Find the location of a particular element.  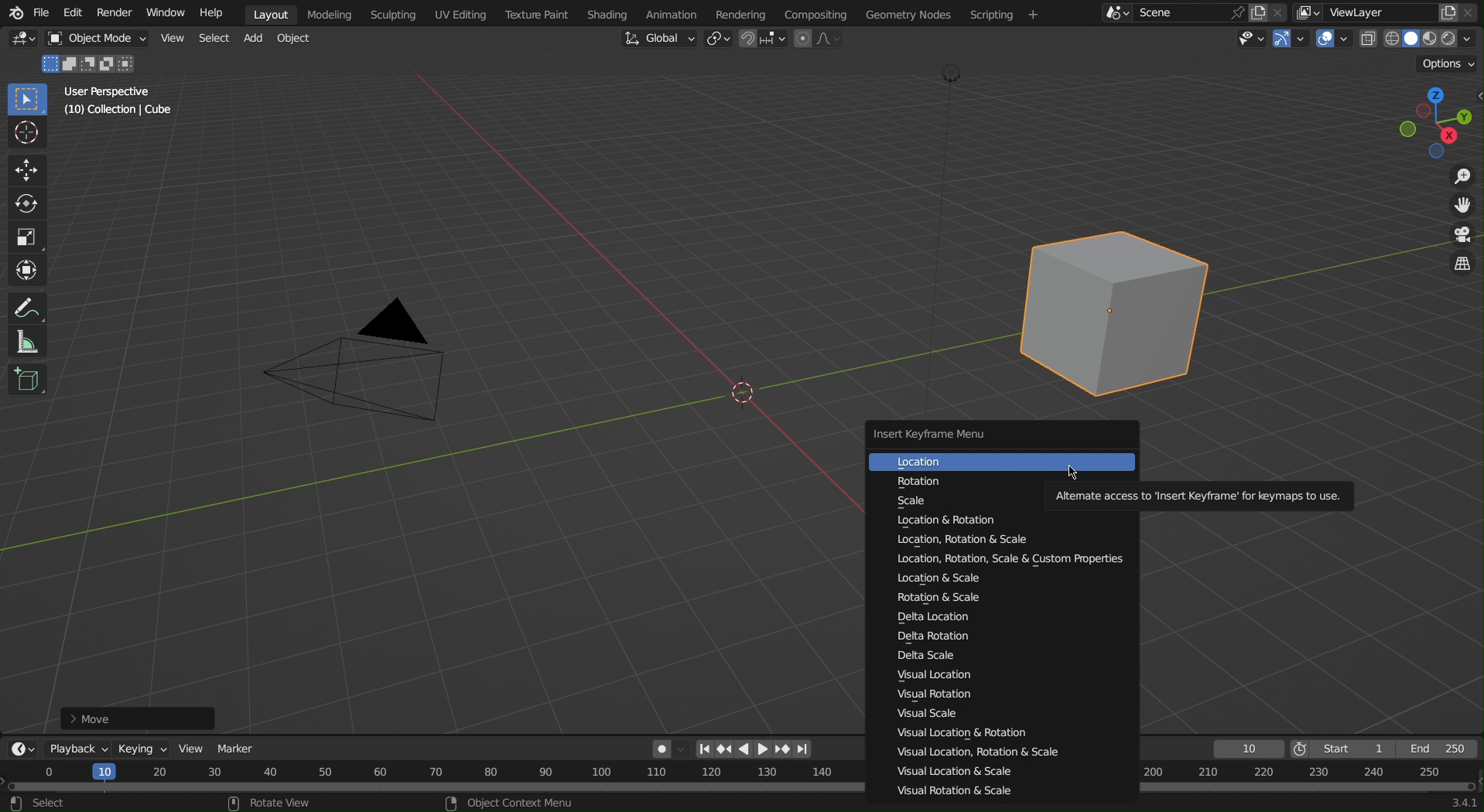

Start is located at coordinates (1342, 749).